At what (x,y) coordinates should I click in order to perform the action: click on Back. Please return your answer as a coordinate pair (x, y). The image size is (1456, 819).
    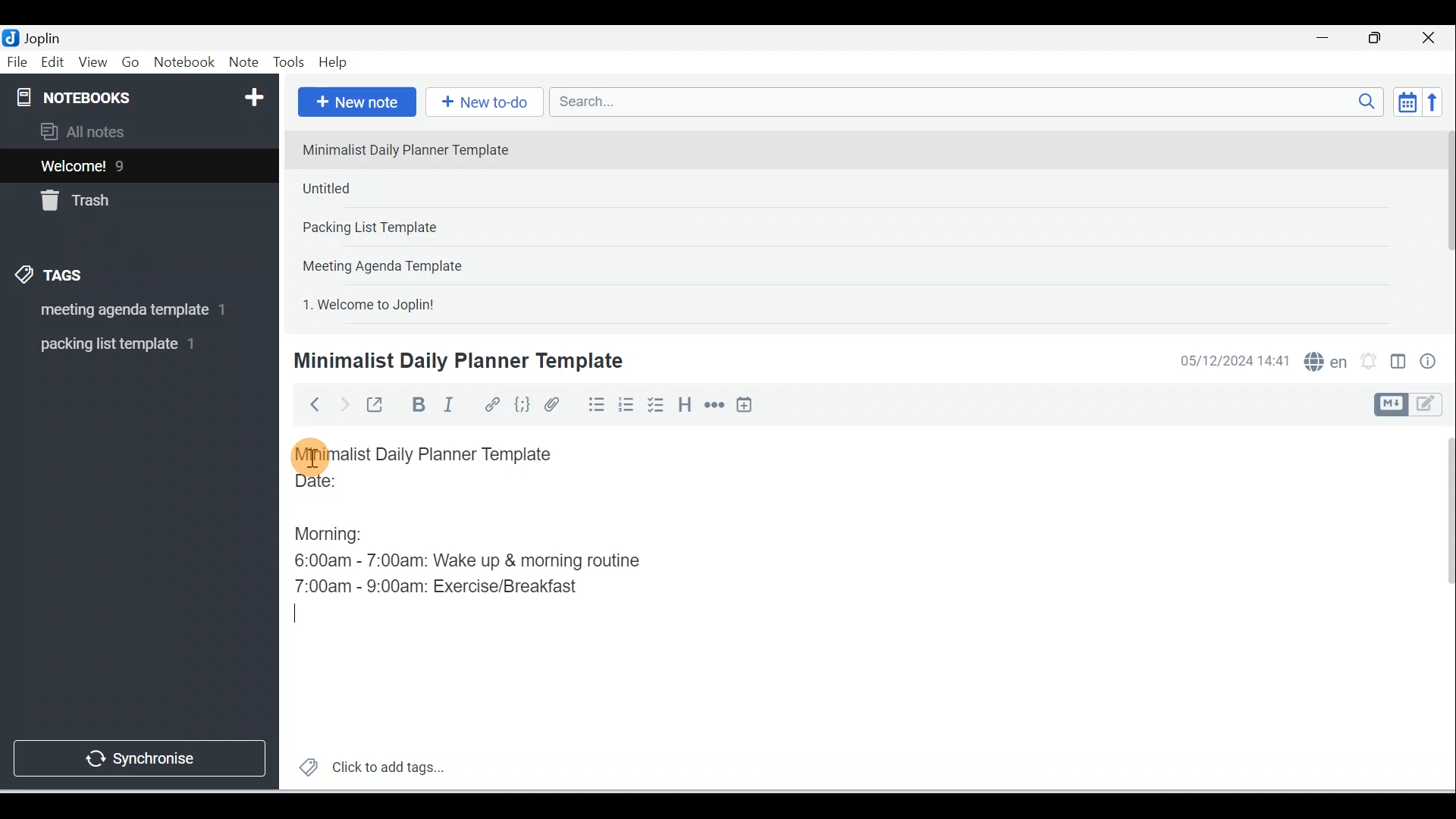
    Looking at the image, I should click on (308, 404).